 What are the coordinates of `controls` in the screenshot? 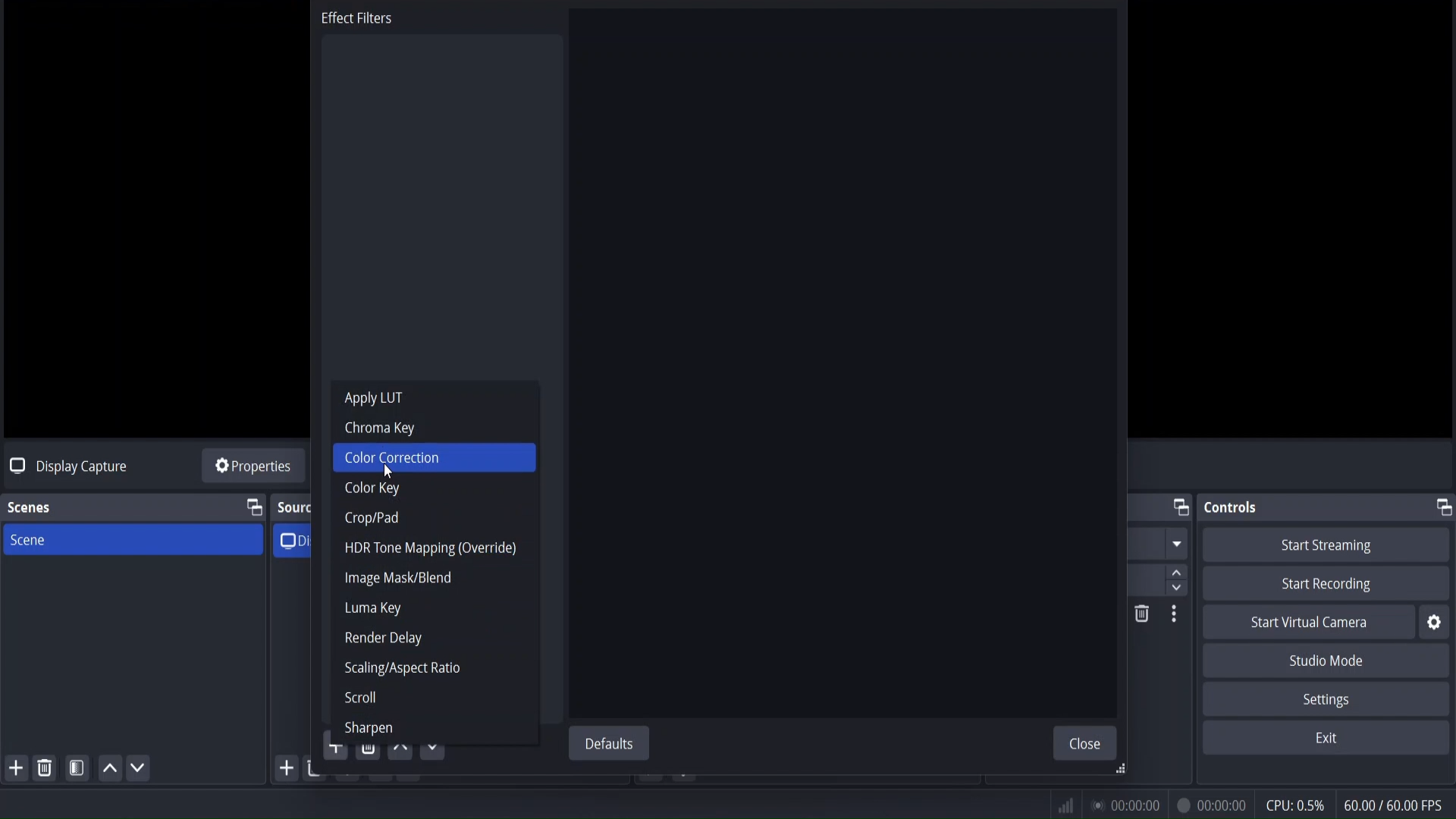 It's located at (1234, 507).